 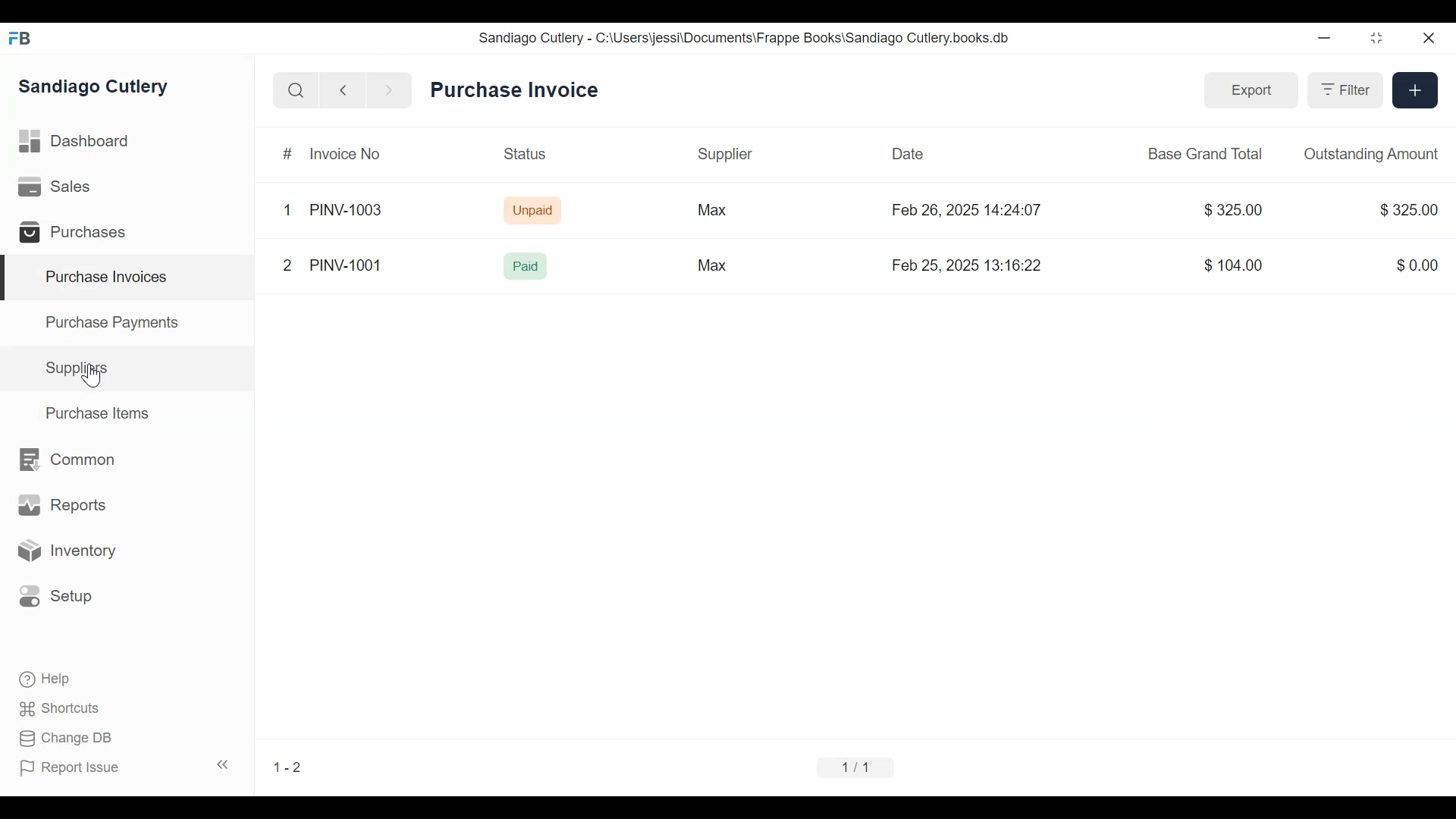 What do you see at coordinates (298, 92) in the screenshot?
I see `search` at bounding box center [298, 92].